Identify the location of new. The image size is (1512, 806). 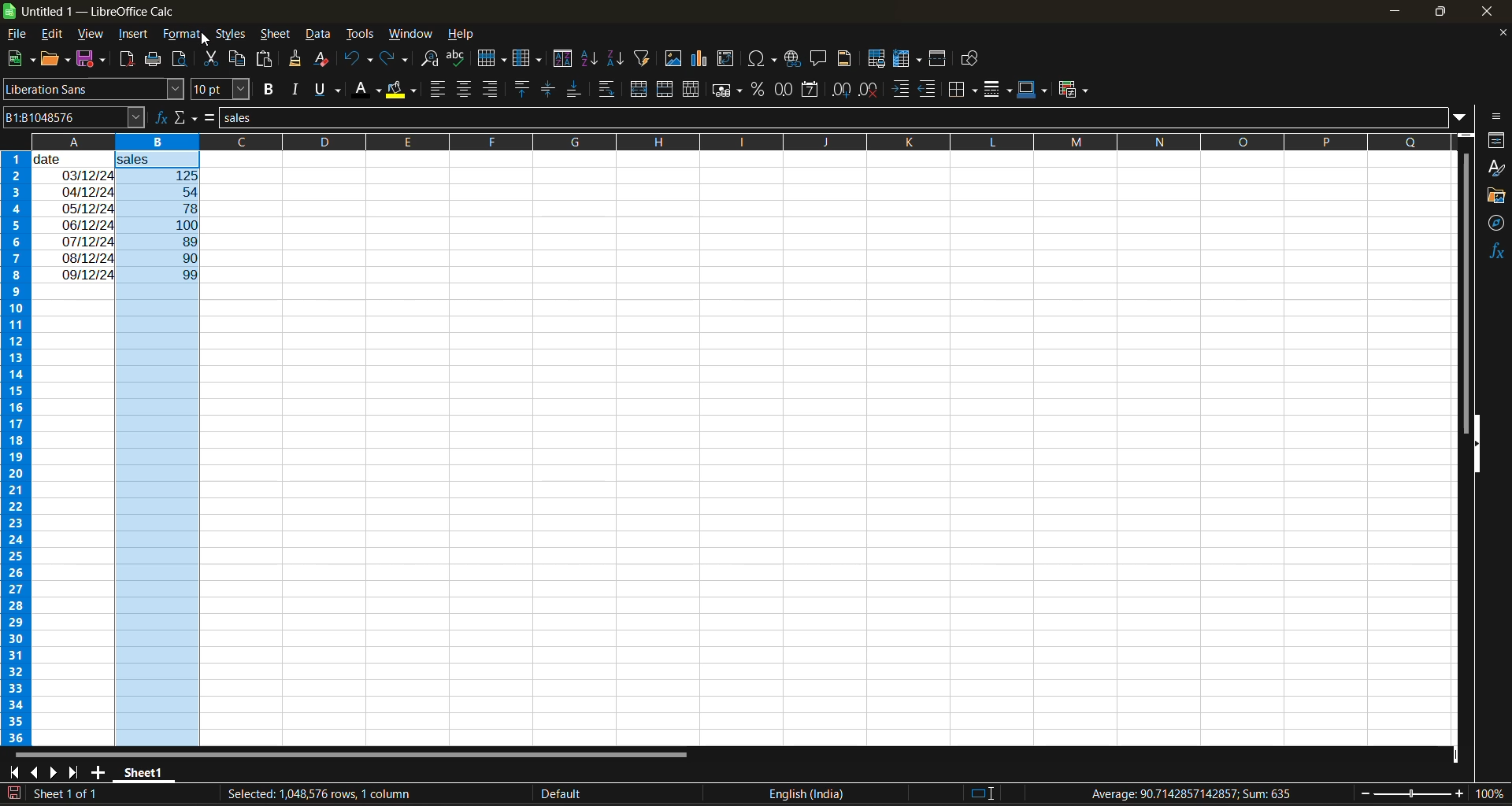
(18, 59).